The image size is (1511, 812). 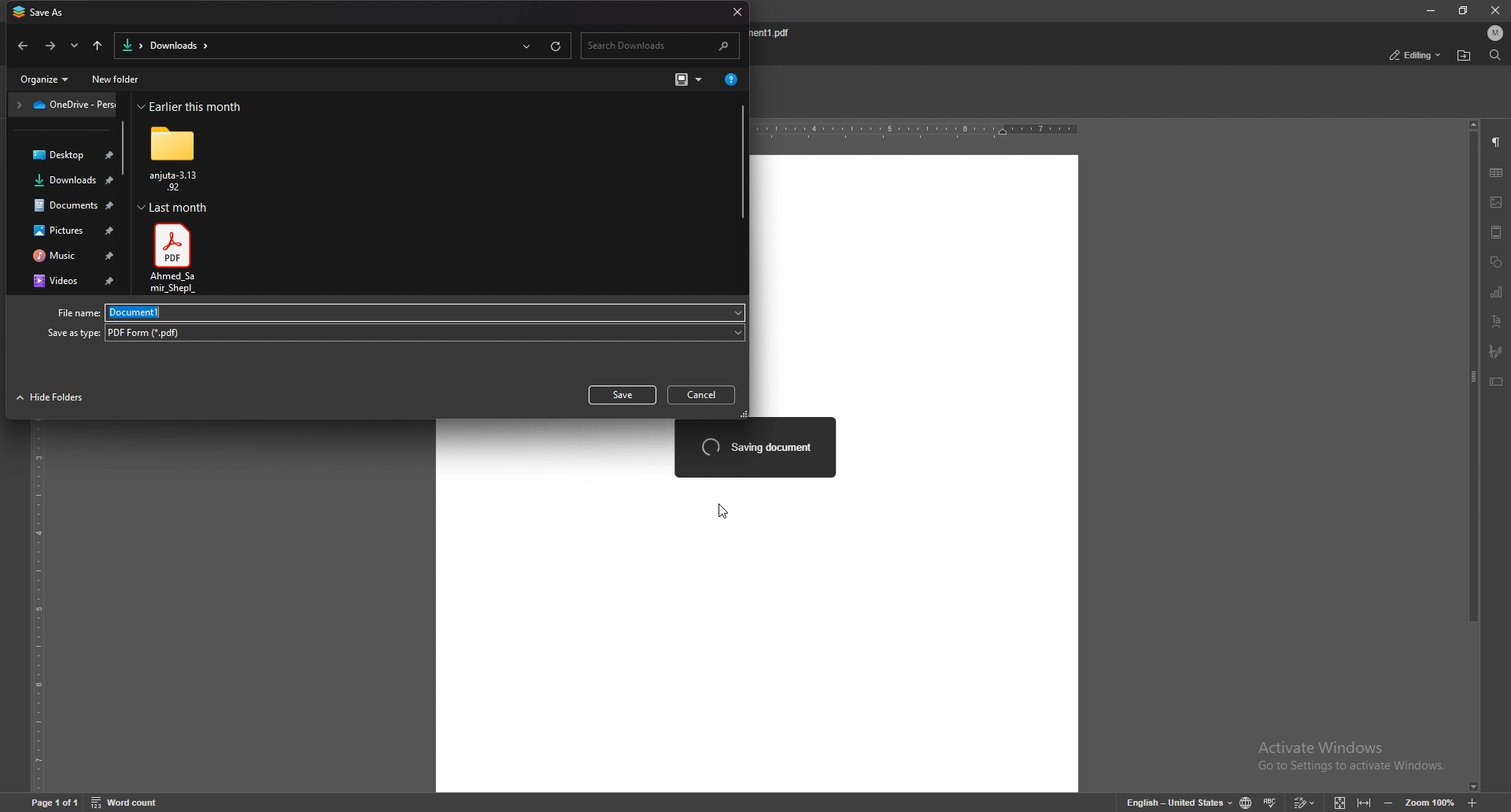 What do you see at coordinates (704, 396) in the screenshot?
I see `cancel` at bounding box center [704, 396].